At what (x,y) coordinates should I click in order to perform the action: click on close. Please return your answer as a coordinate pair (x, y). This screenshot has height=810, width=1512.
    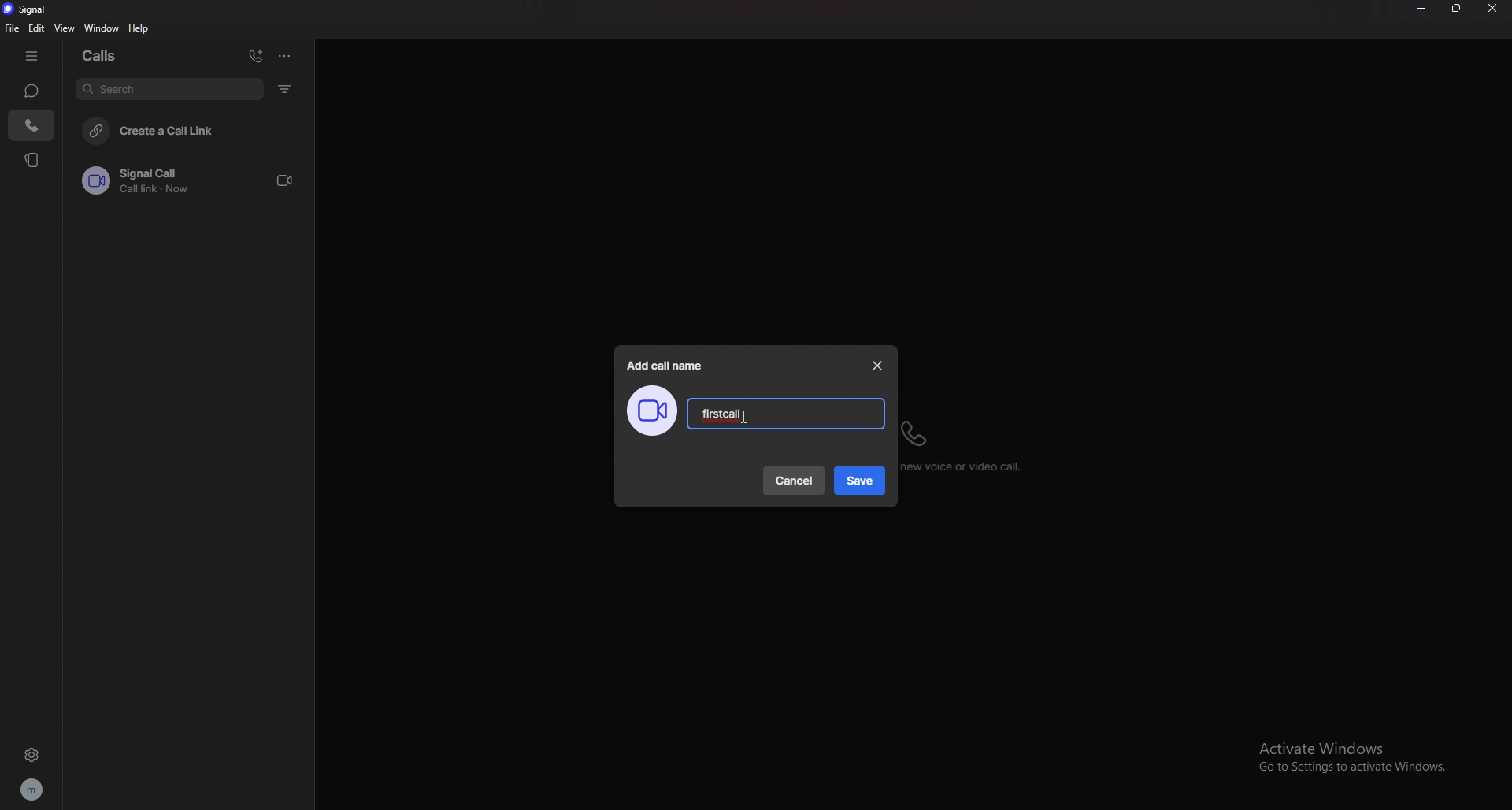
    Looking at the image, I should click on (878, 366).